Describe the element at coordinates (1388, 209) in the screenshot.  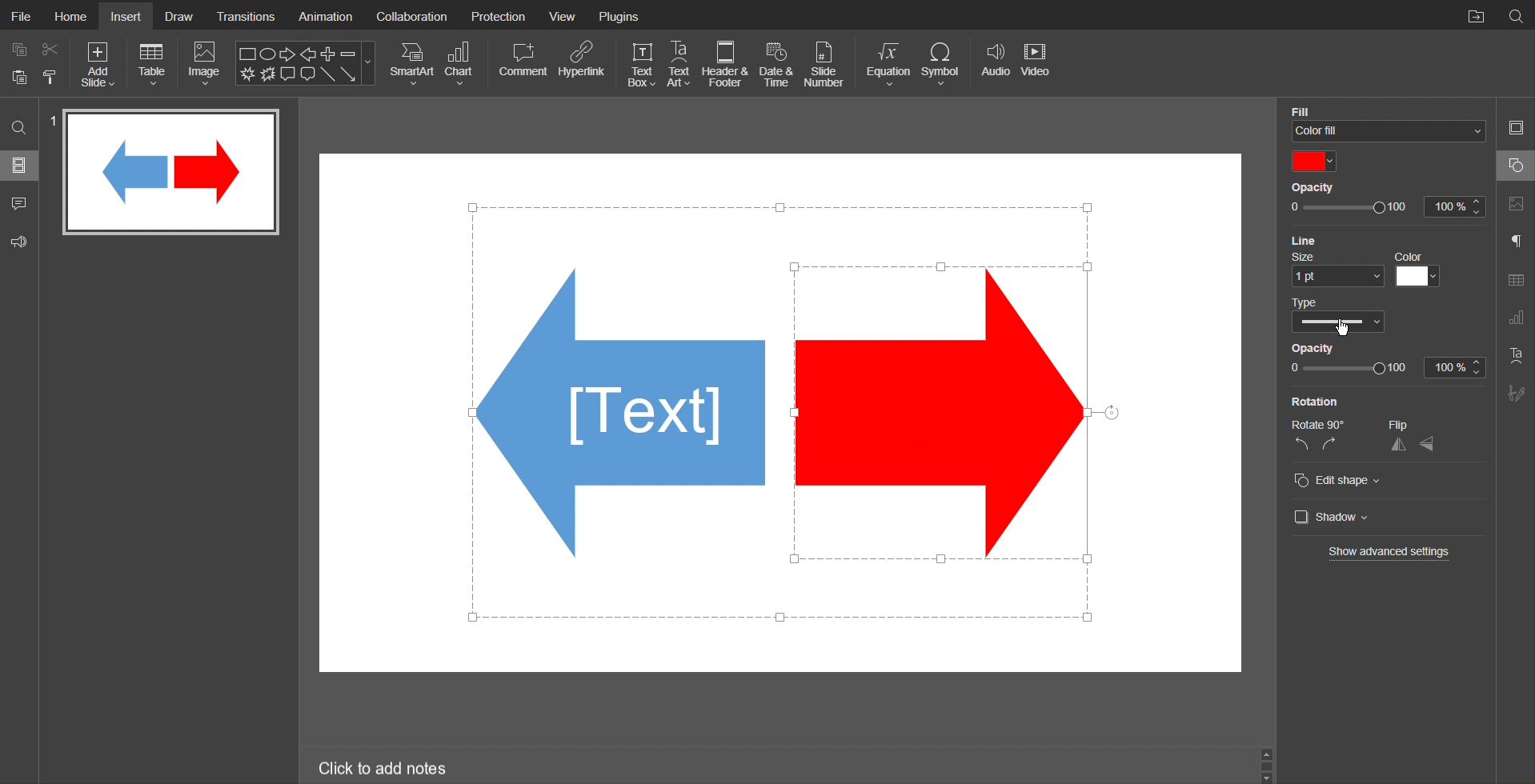
I see `100% opacity` at that location.